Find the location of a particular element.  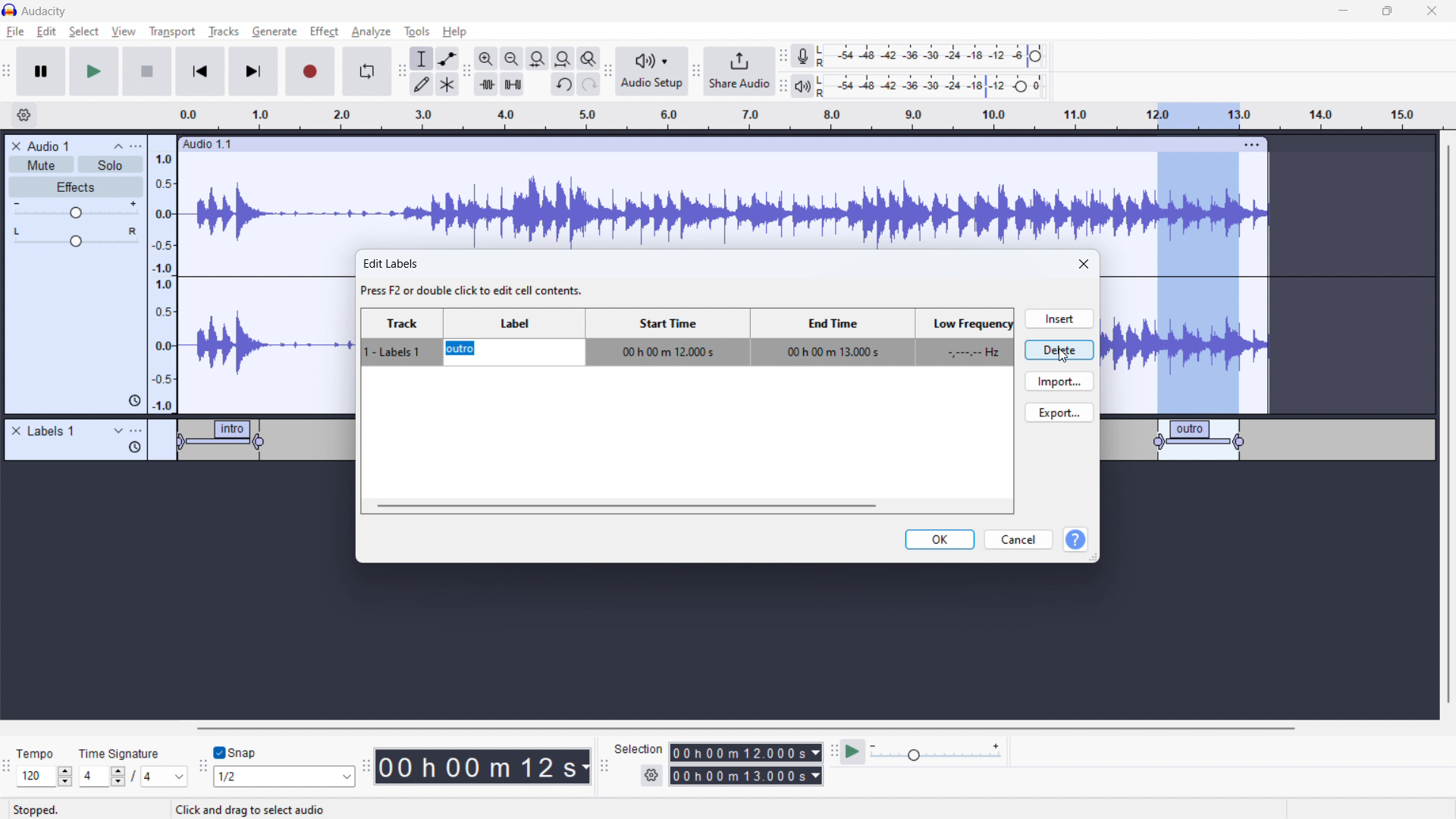

pause is located at coordinates (41, 72).